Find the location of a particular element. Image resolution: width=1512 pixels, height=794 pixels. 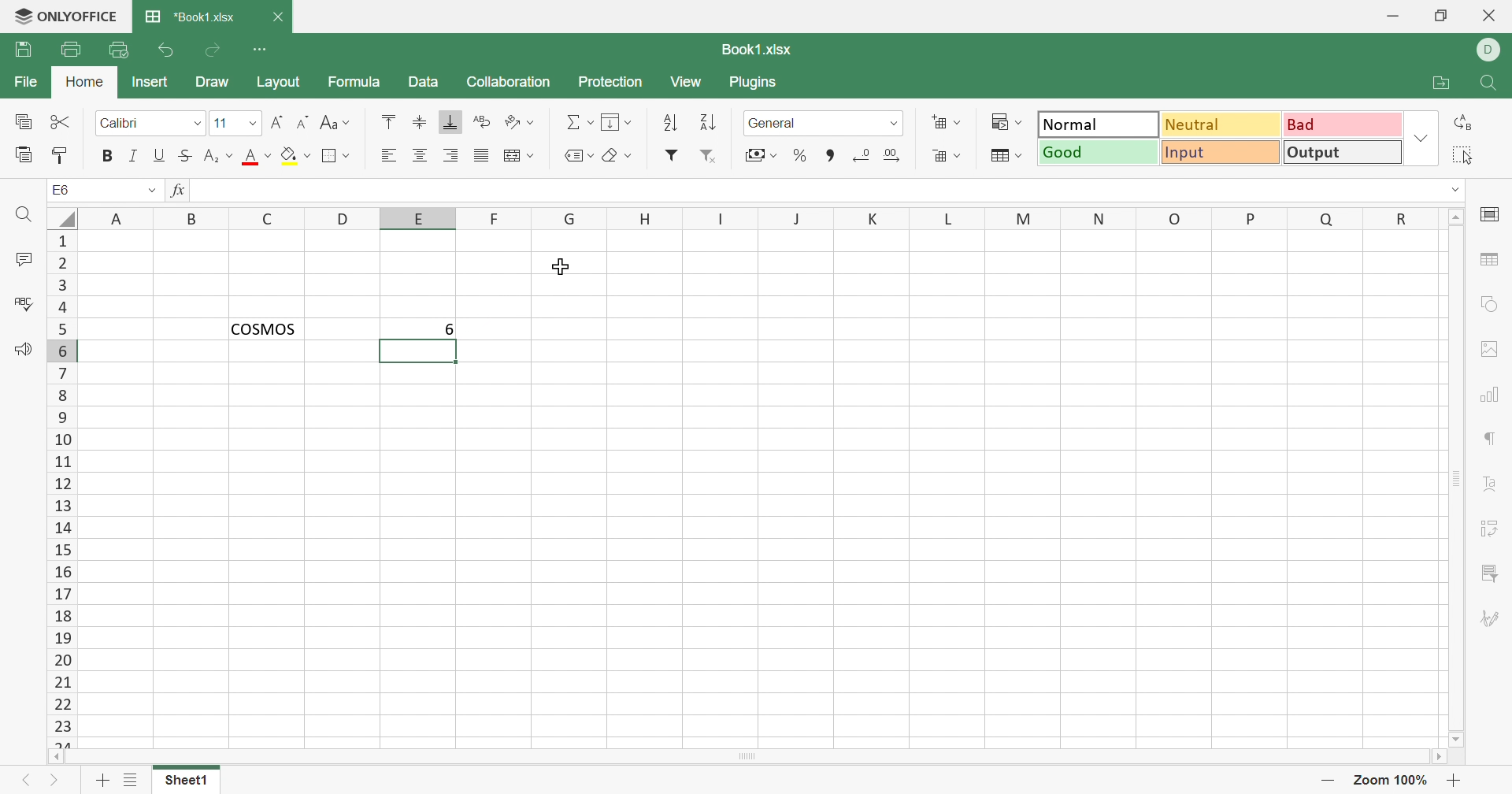

Font size is located at coordinates (226, 121).